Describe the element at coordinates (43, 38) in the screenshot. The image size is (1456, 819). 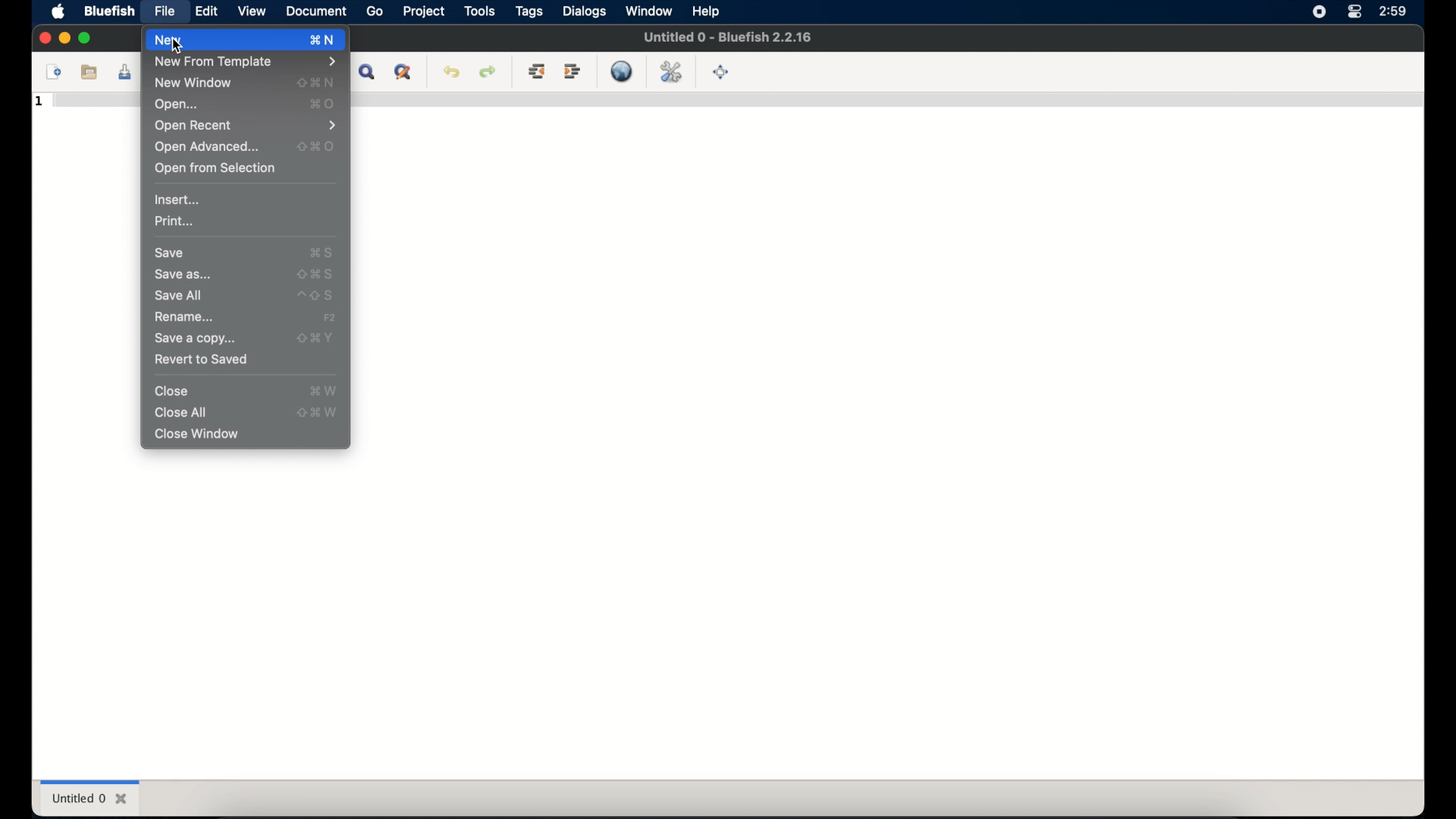
I see `close` at that location.